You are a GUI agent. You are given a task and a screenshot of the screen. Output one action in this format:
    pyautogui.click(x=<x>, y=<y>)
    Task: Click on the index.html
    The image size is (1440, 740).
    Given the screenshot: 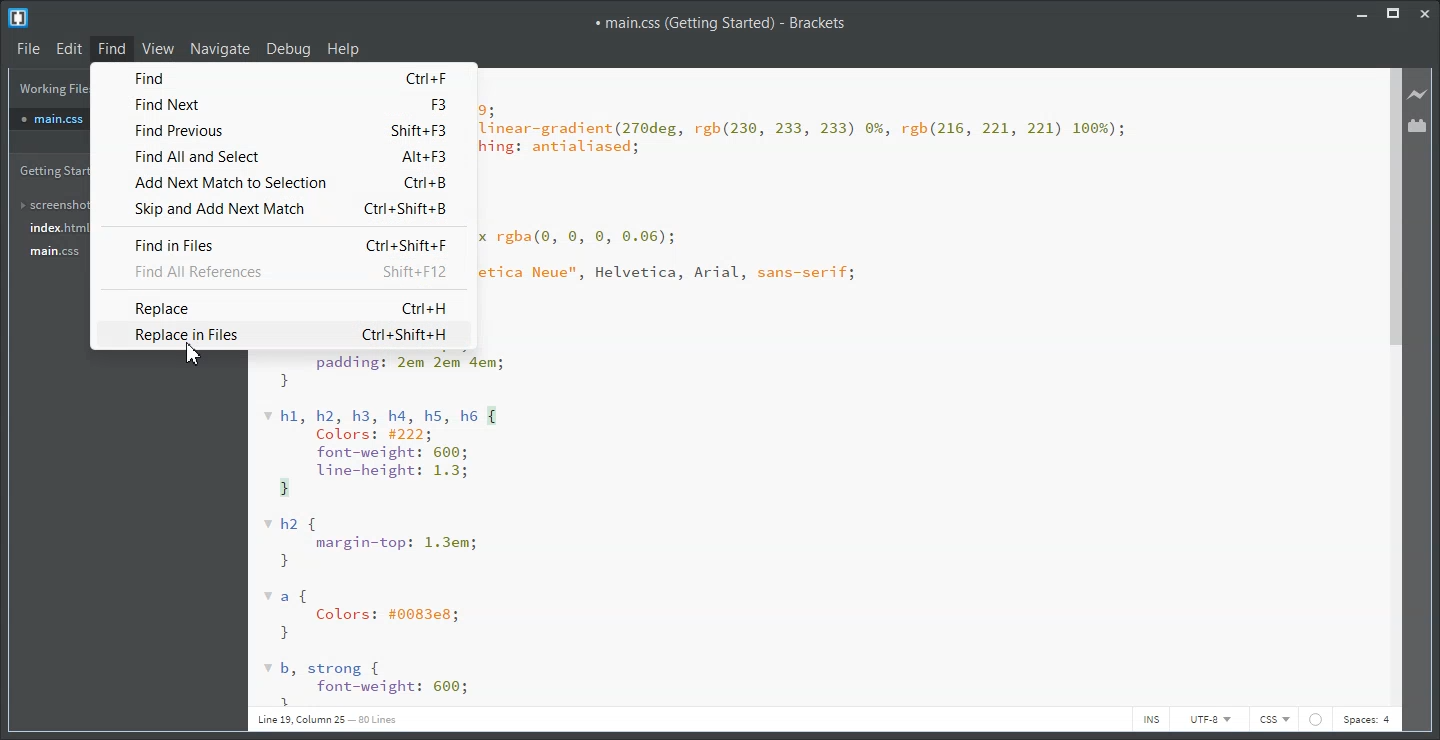 What is the action you would take?
    pyautogui.click(x=49, y=228)
    